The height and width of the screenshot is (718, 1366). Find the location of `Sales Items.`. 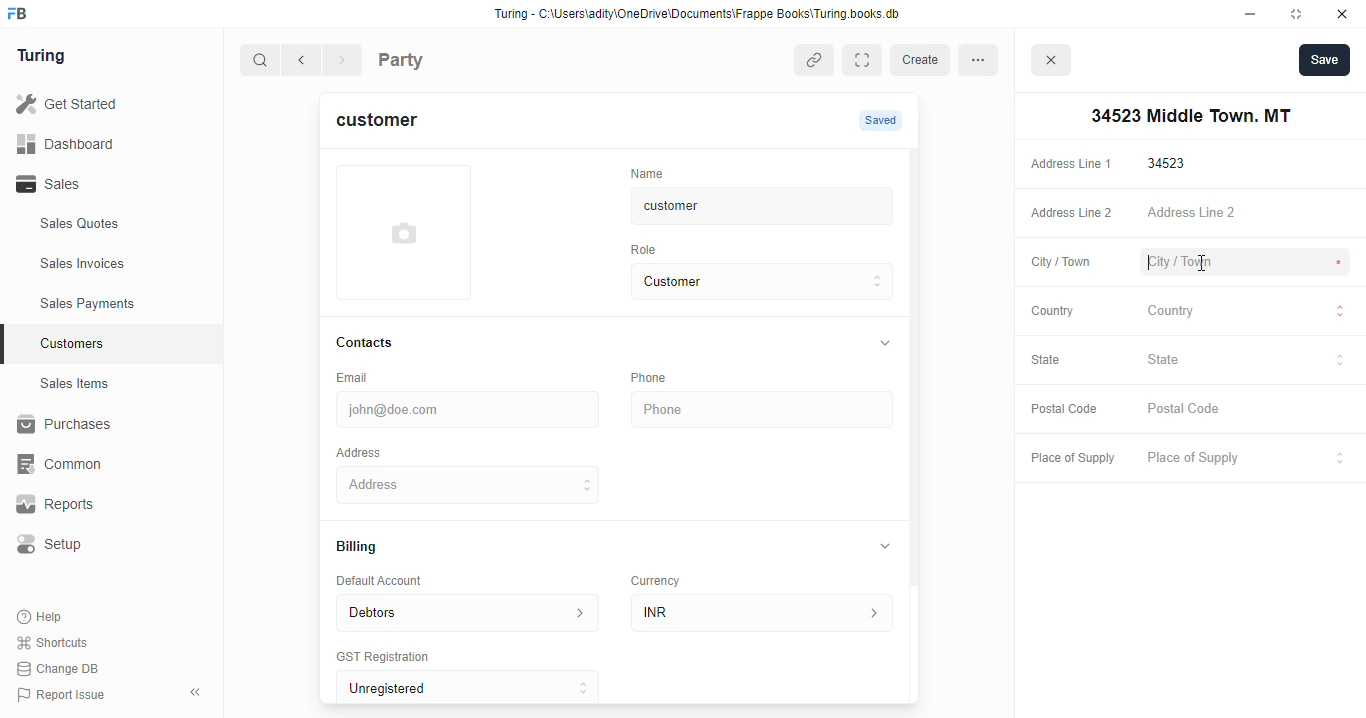

Sales Items. is located at coordinates (111, 384).